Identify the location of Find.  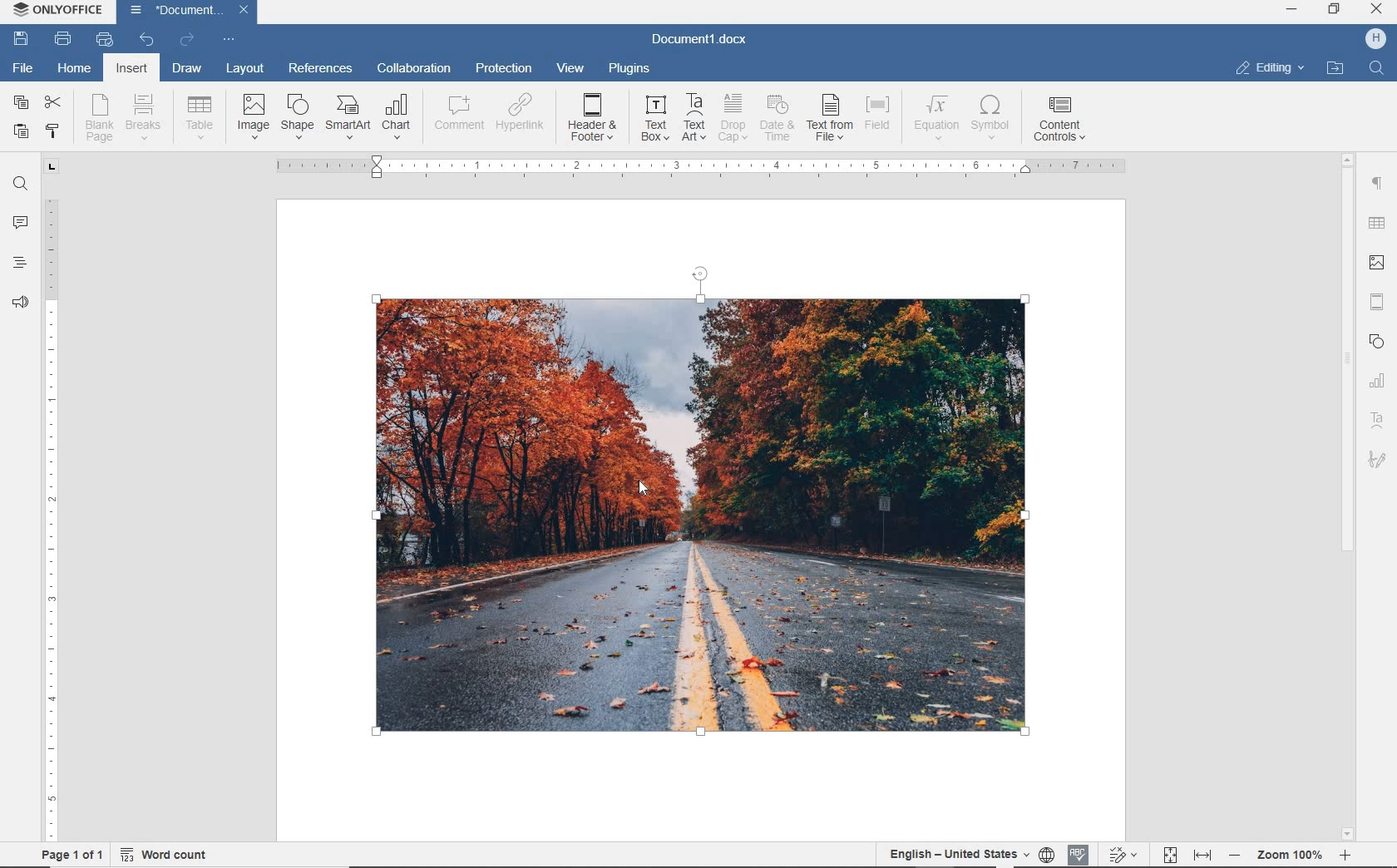
(1380, 70).